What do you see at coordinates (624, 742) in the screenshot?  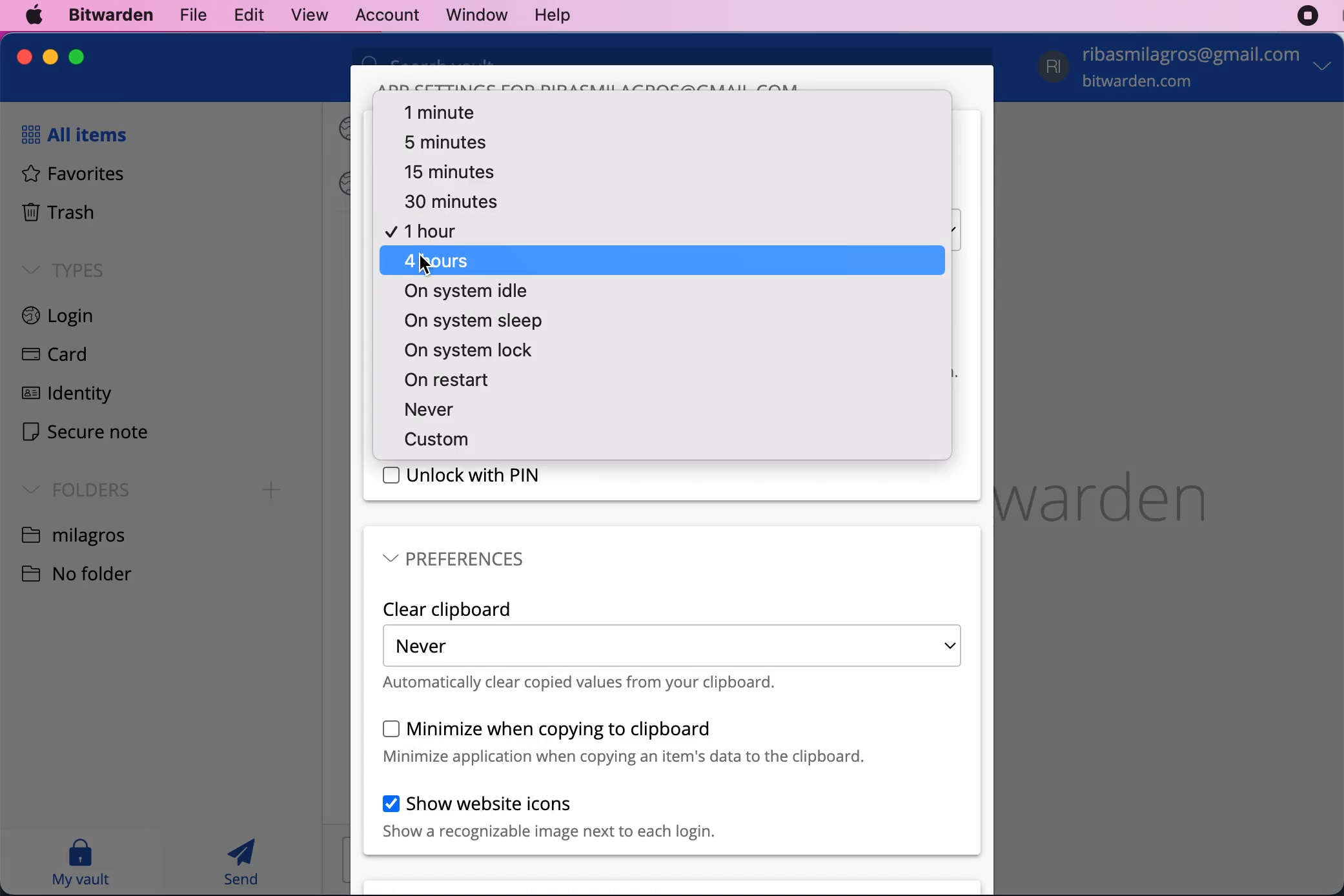 I see `minimize when copying to clipboard` at bounding box center [624, 742].